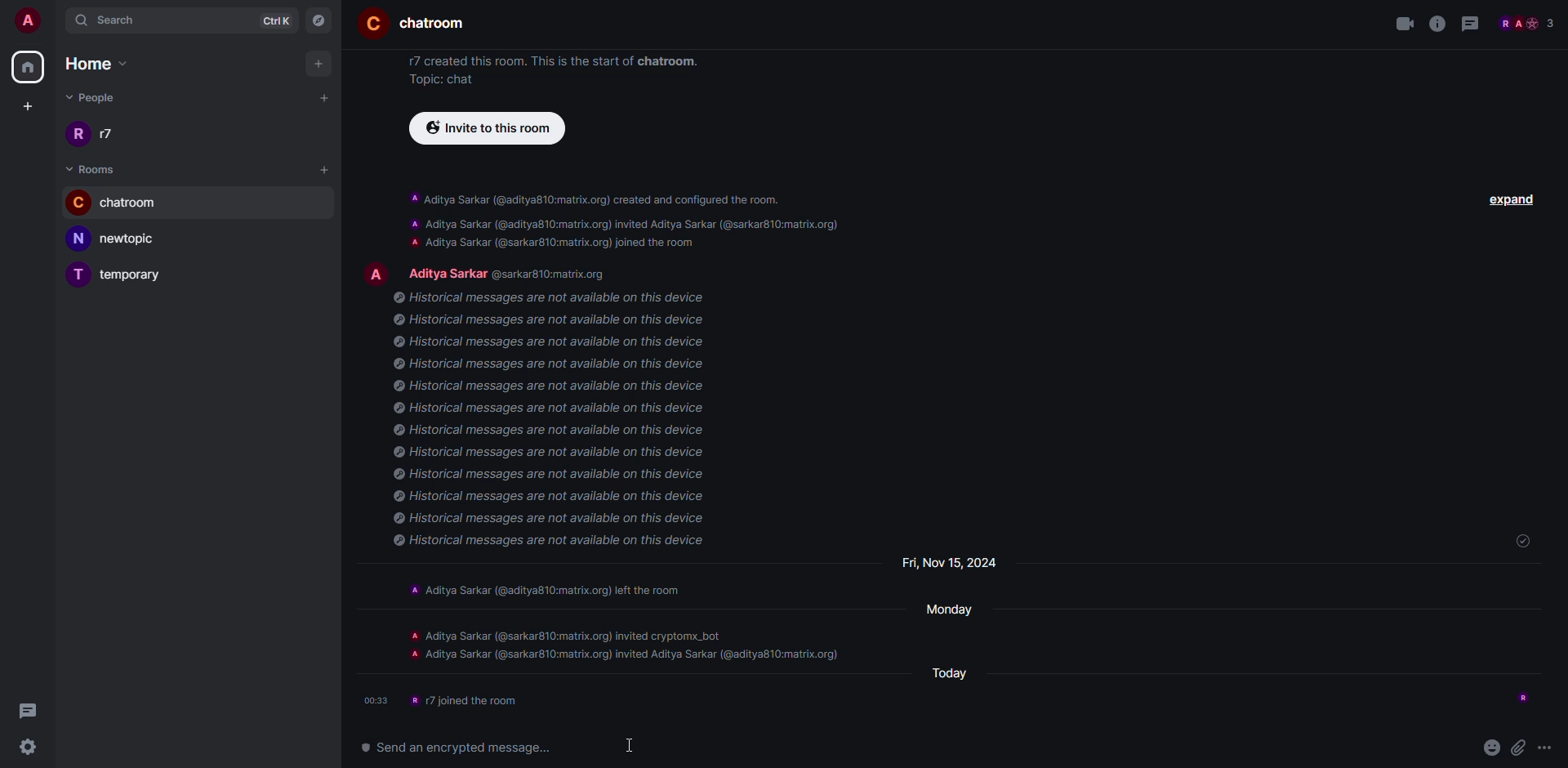 The image size is (1568, 768). Describe the element at coordinates (278, 19) in the screenshot. I see `ctrlK` at that location.